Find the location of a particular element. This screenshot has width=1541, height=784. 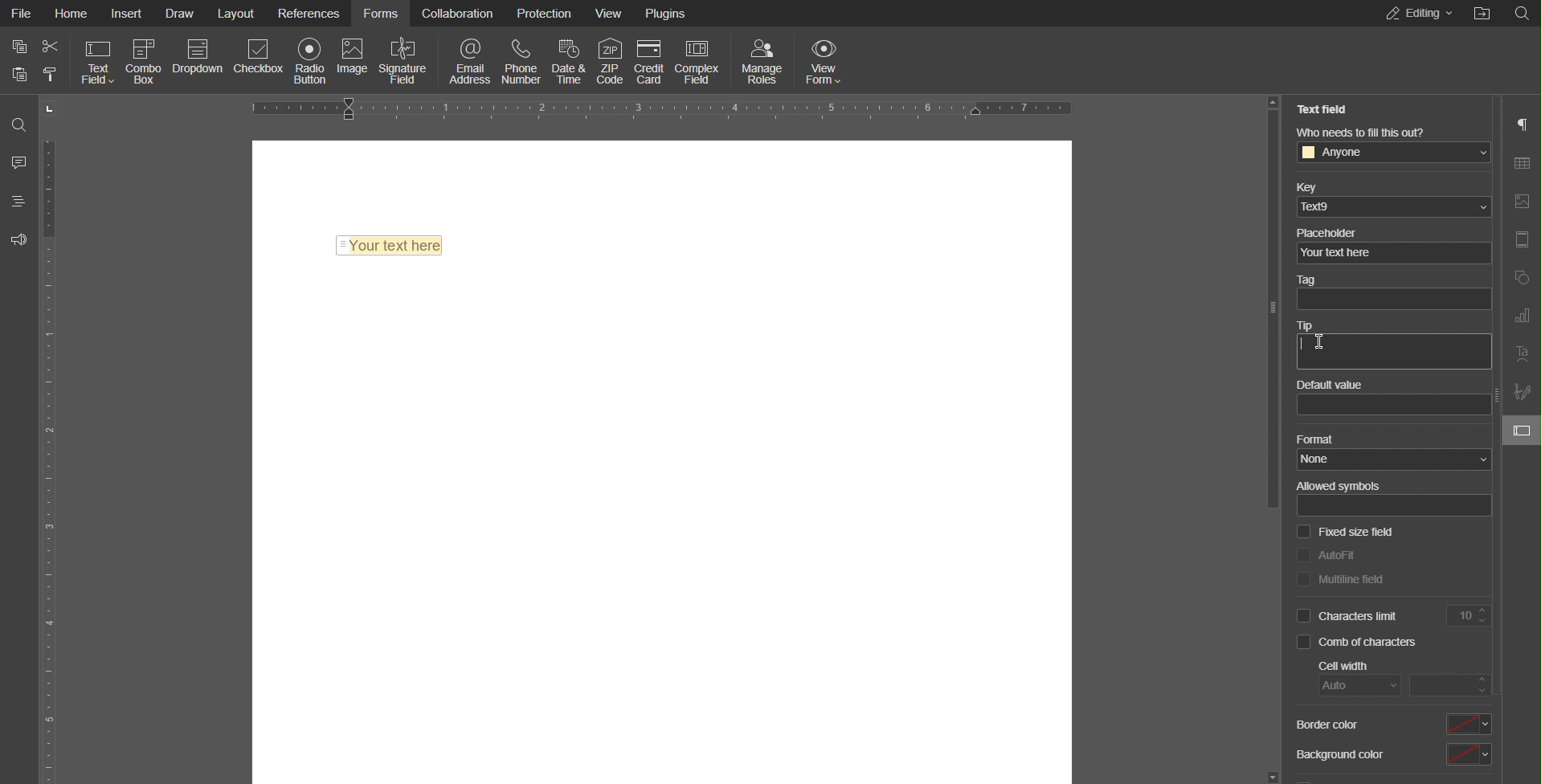

Default value is located at coordinates (1334, 382).